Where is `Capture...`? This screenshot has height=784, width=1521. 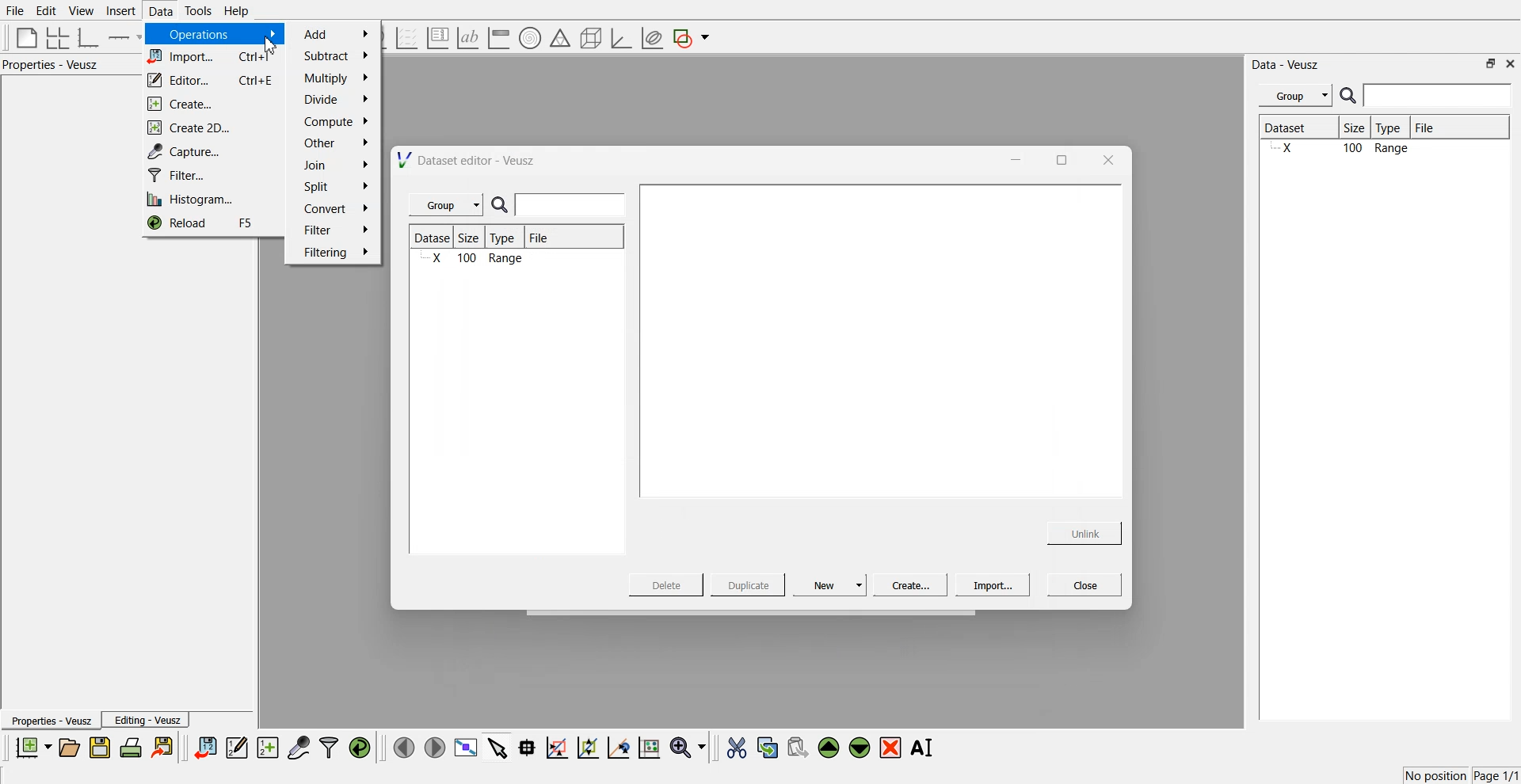
Capture... is located at coordinates (215, 151).